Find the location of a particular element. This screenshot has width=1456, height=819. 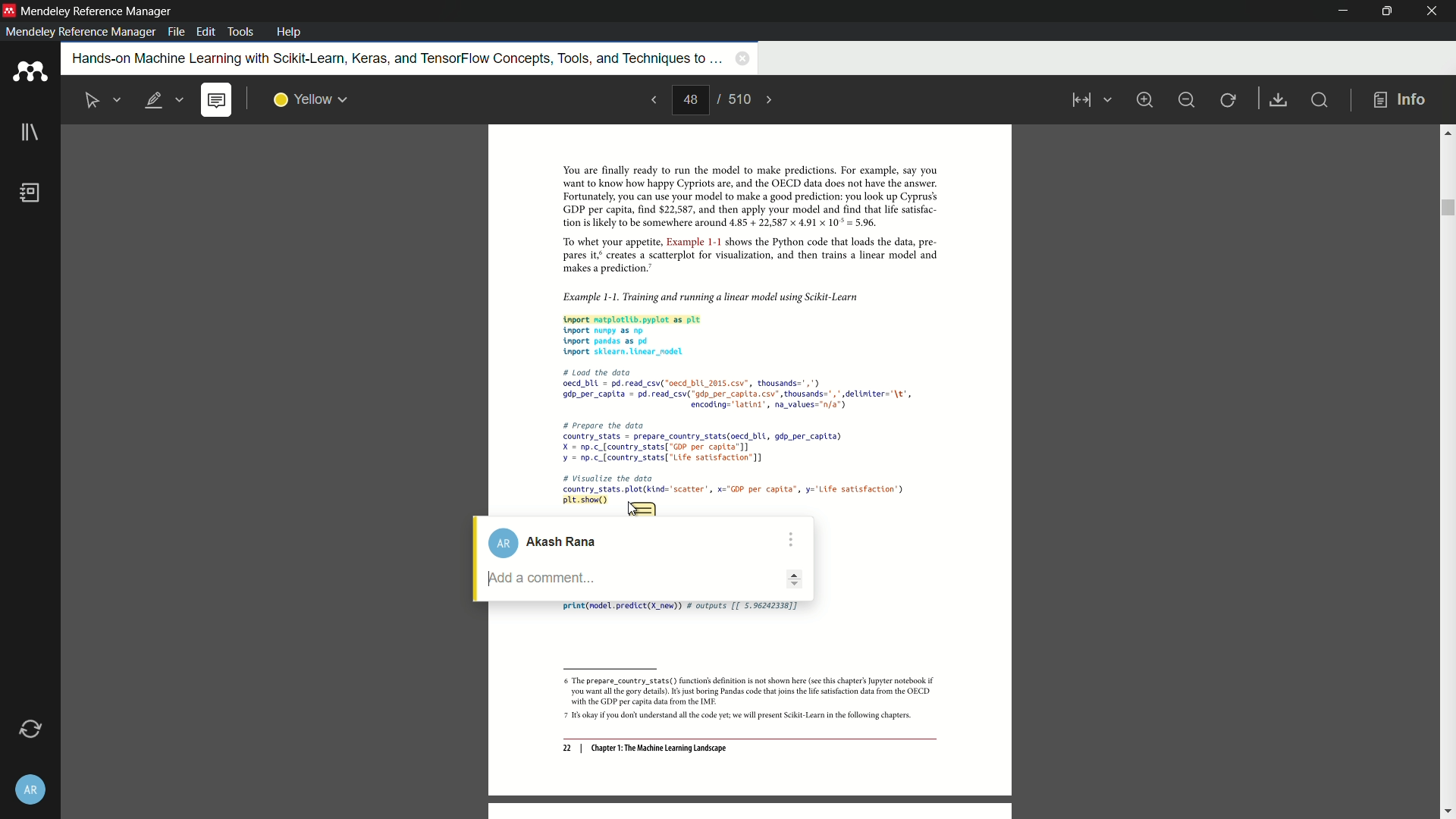

help menu is located at coordinates (289, 32).